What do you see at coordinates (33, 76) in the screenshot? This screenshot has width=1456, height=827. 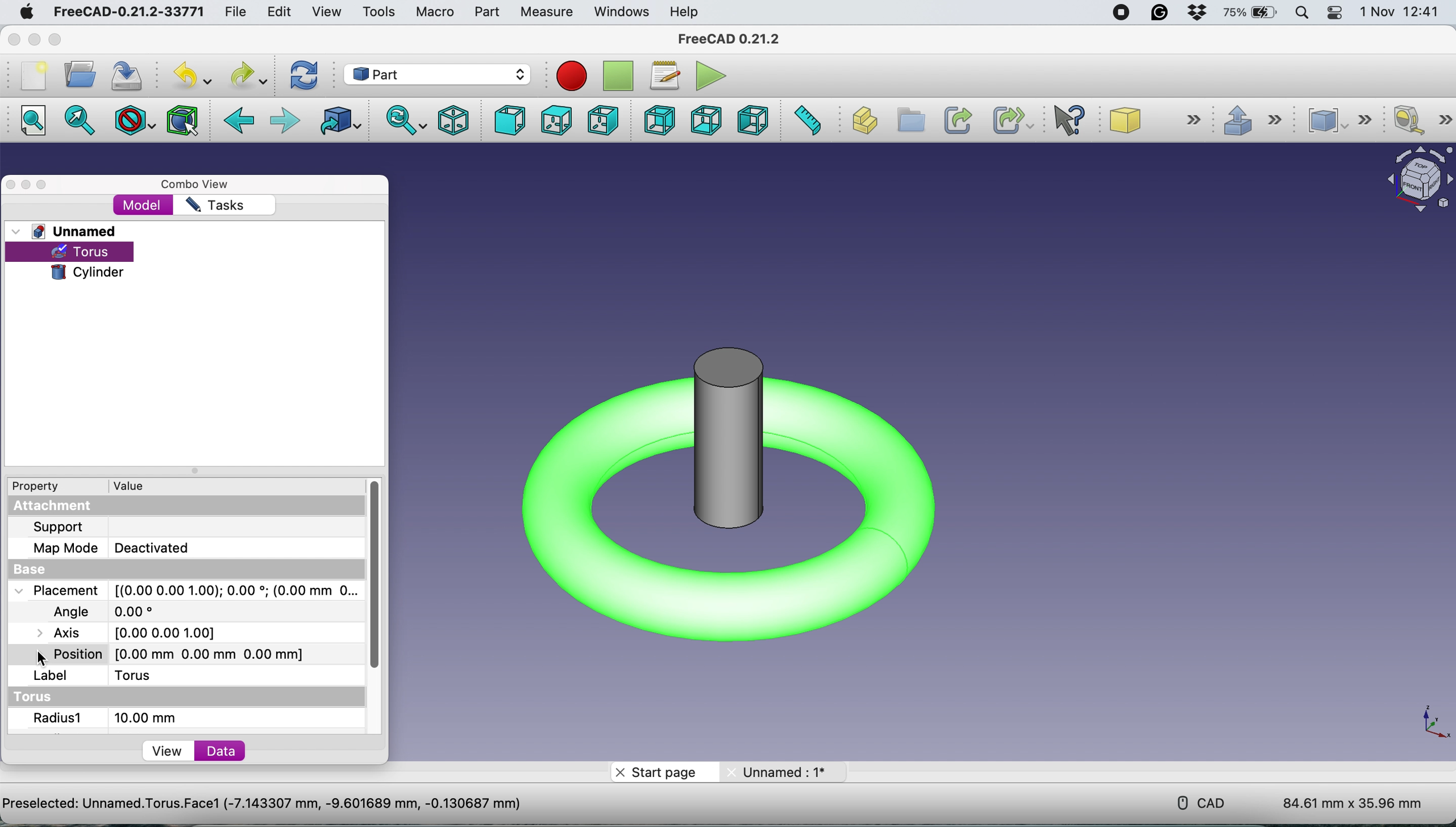 I see `new` at bounding box center [33, 76].